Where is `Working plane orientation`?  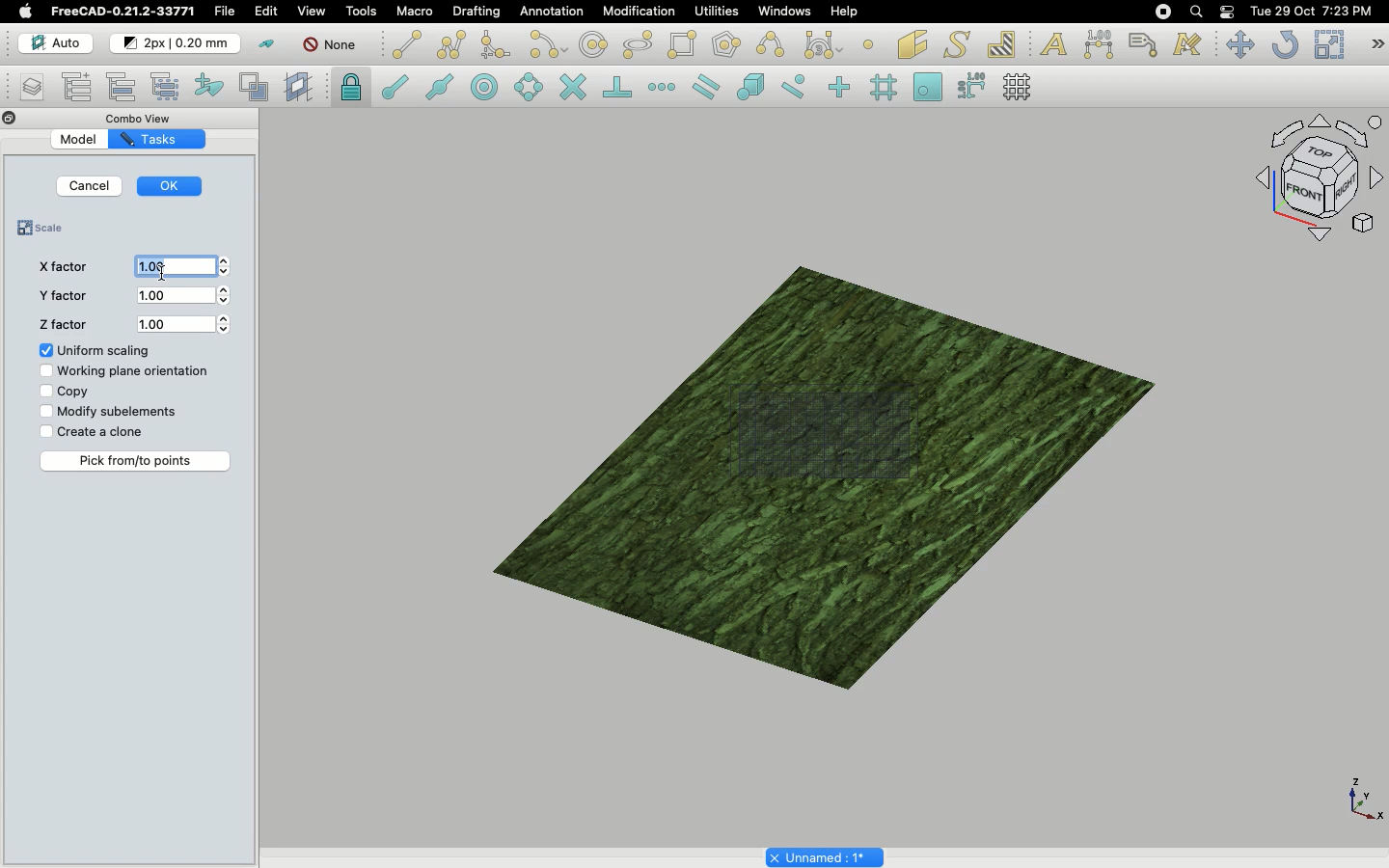 Working plane orientation is located at coordinates (124, 373).